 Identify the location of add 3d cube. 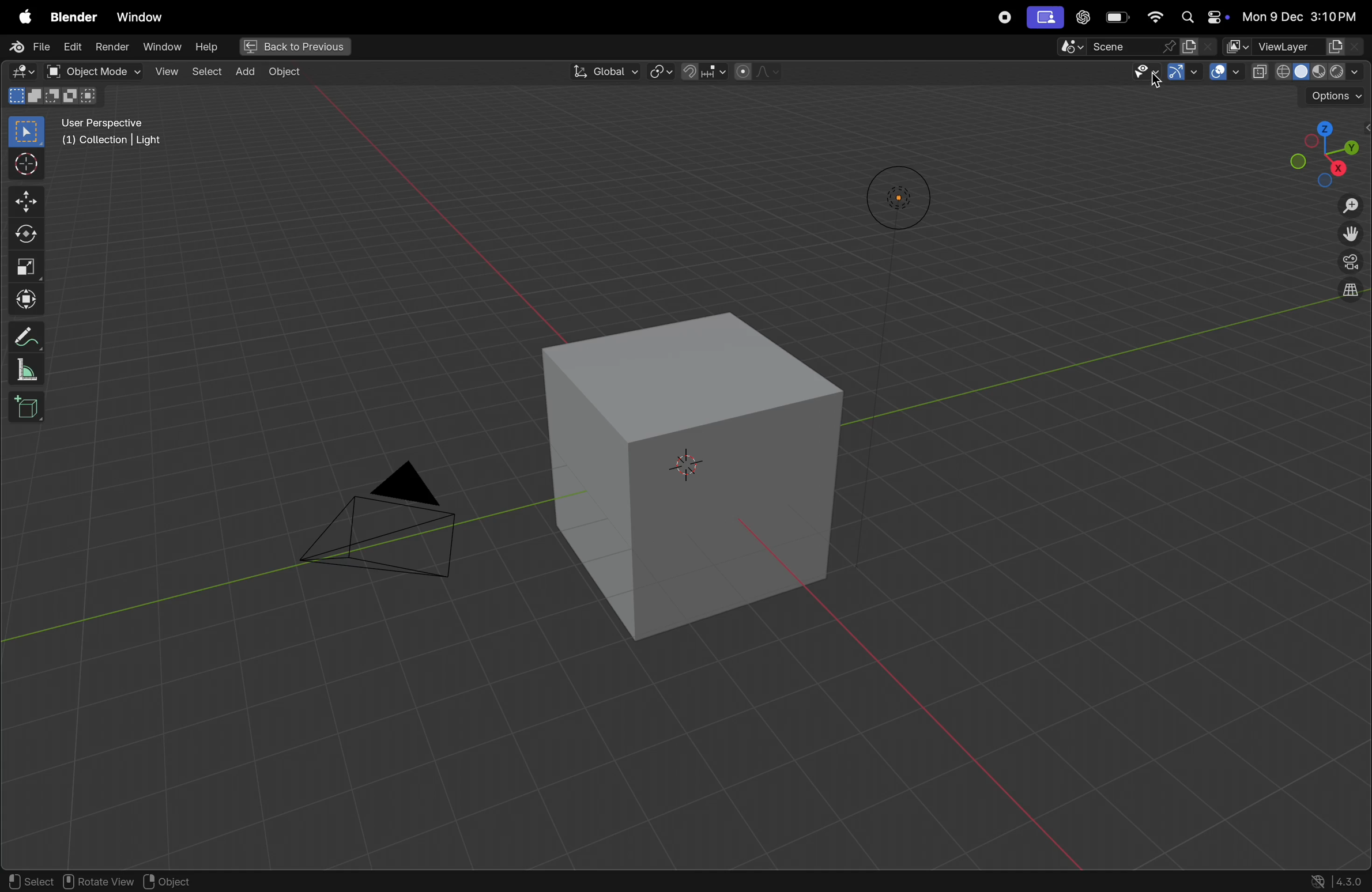
(31, 406).